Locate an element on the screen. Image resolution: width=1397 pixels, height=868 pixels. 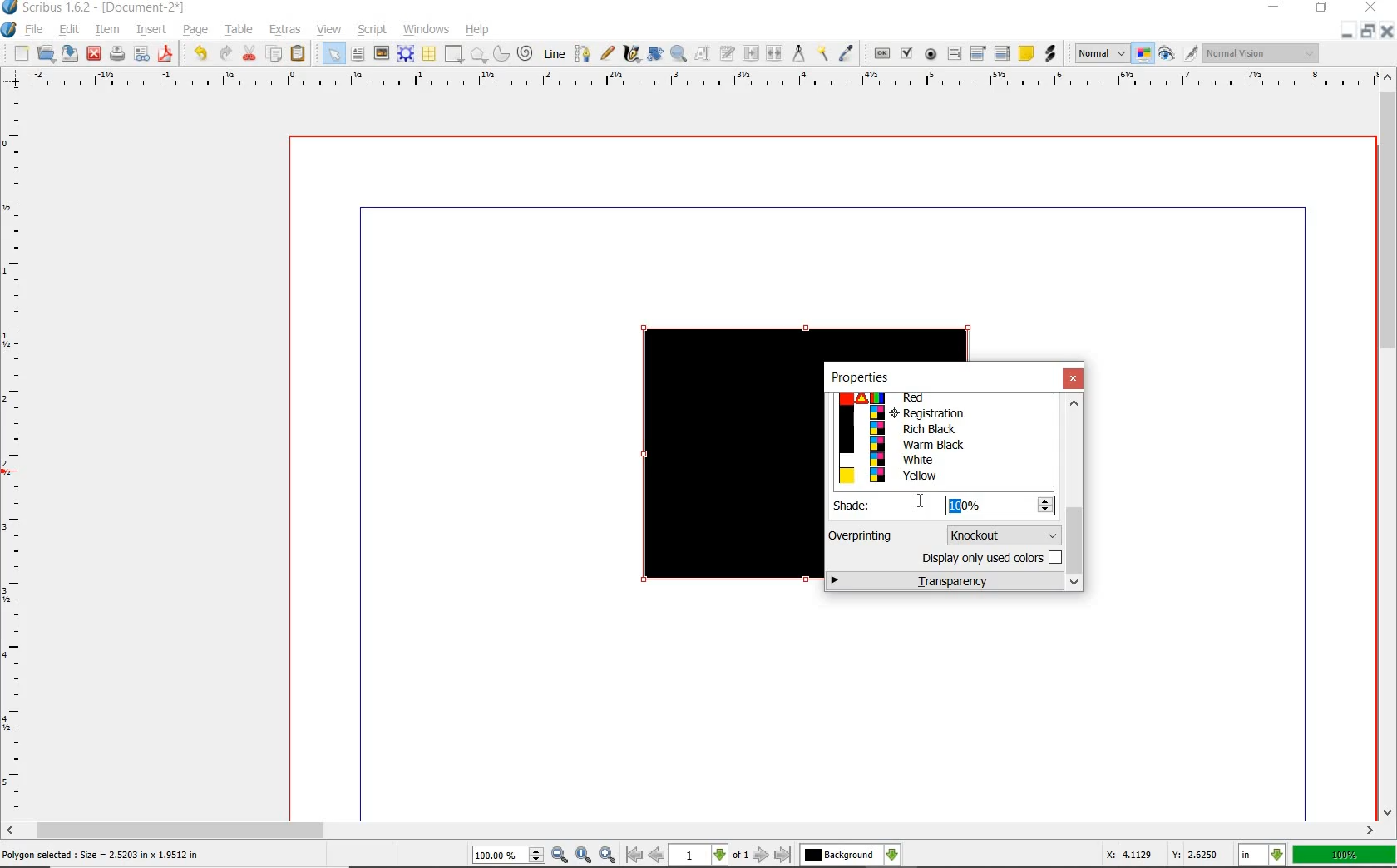
Registration is located at coordinates (941, 413).